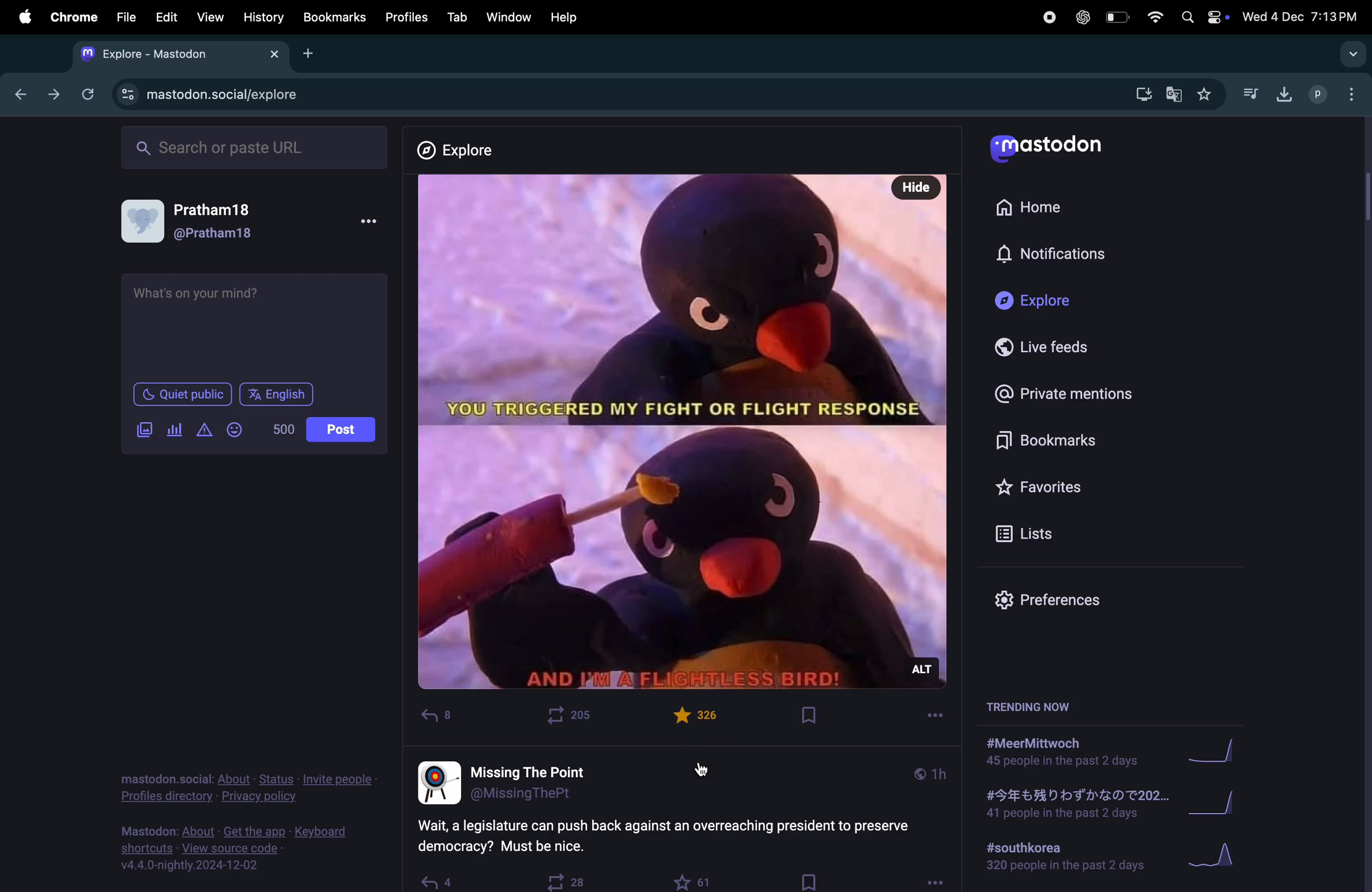 This screenshot has width=1372, height=892. What do you see at coordinates (244, 849) in the screenshot?
I see `view source code` at bounding box center [244, 849].